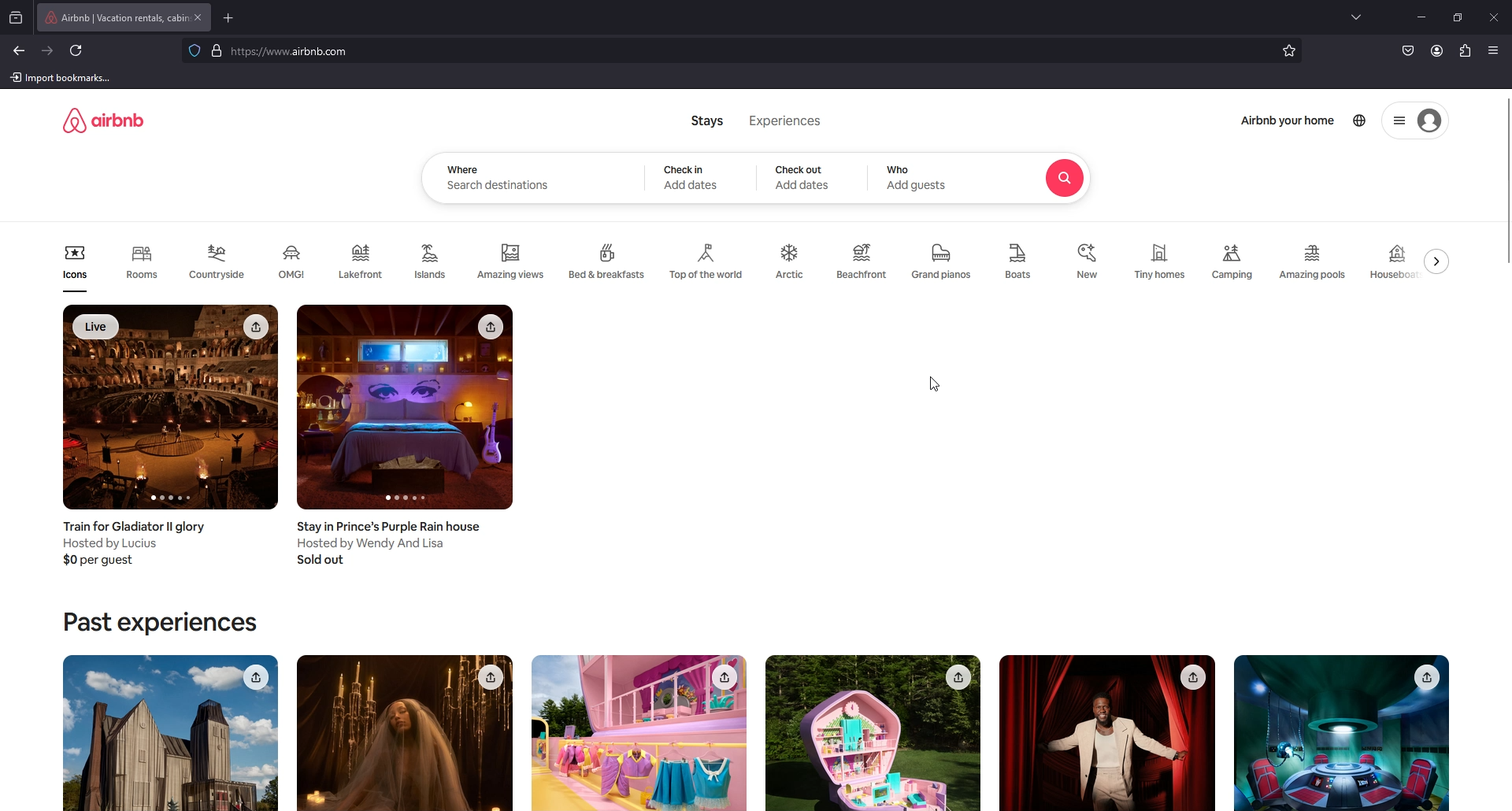 This screenshot has width=1512, height=811. Describe the element at coordinates (1399, 121) in the screenshot. I see `options` at that location.